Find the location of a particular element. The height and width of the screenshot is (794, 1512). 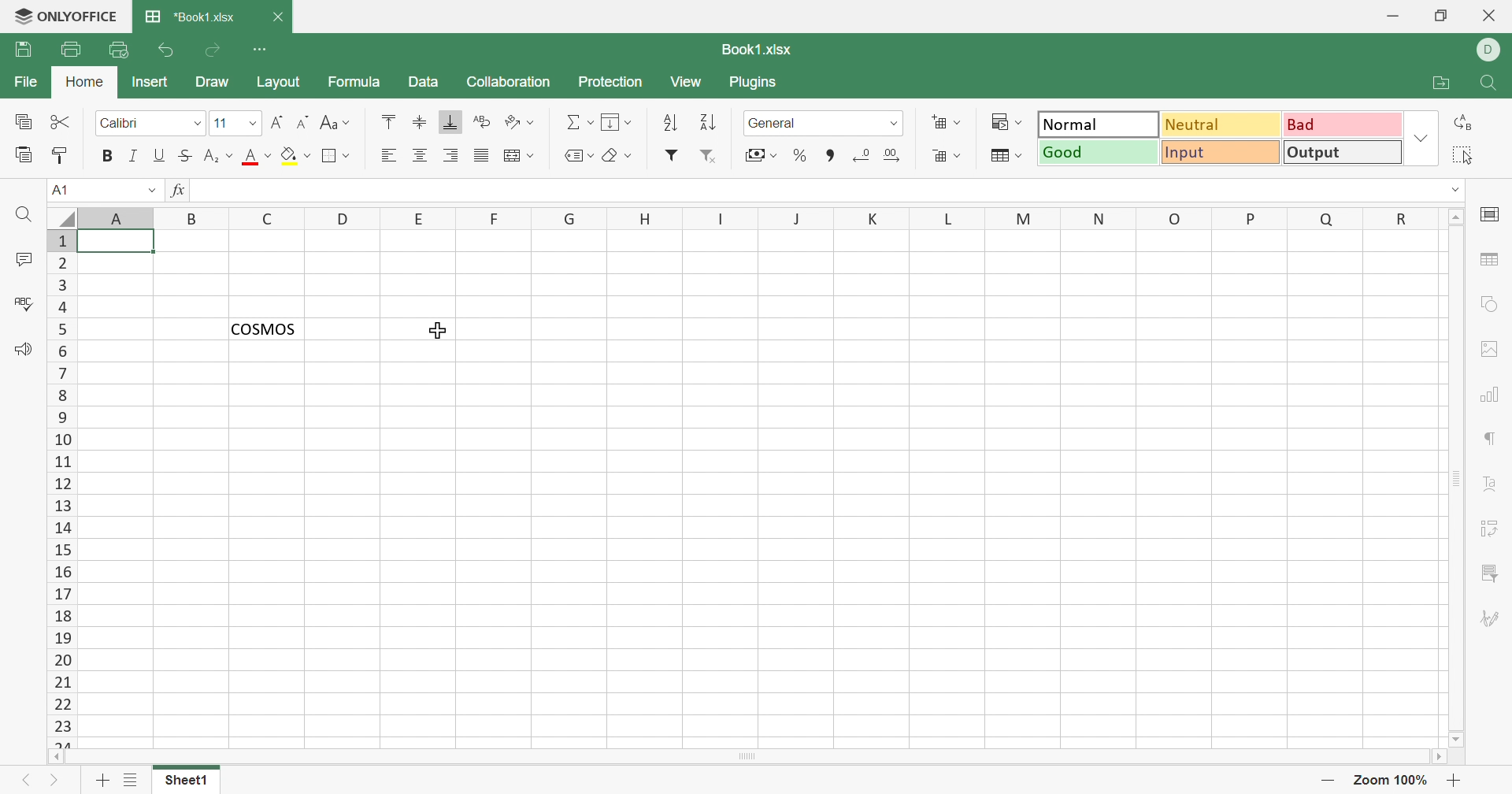

Accounting style is located at coordinates (763, 155).